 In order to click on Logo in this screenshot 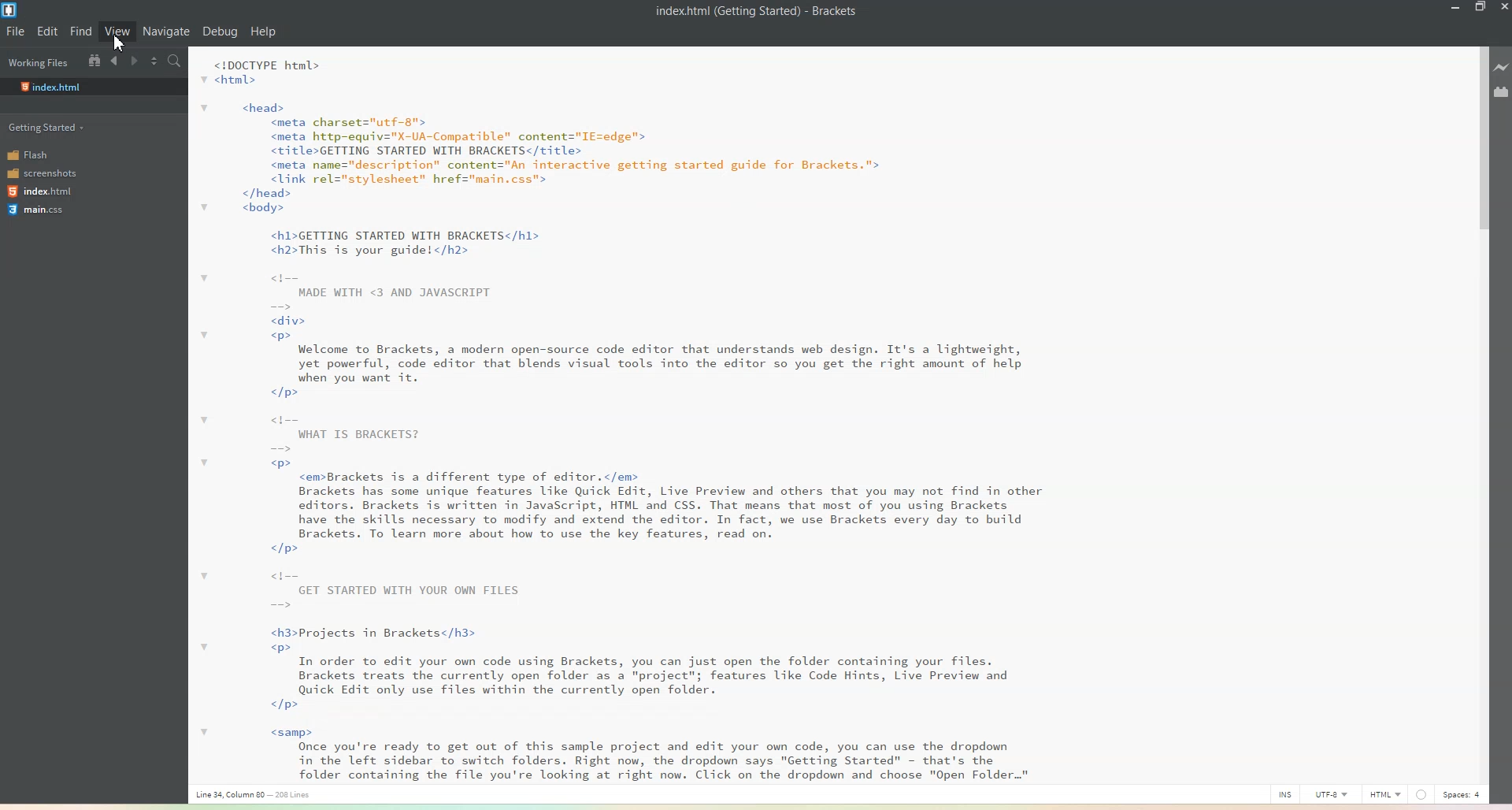, I will do `click(11, 9)`.